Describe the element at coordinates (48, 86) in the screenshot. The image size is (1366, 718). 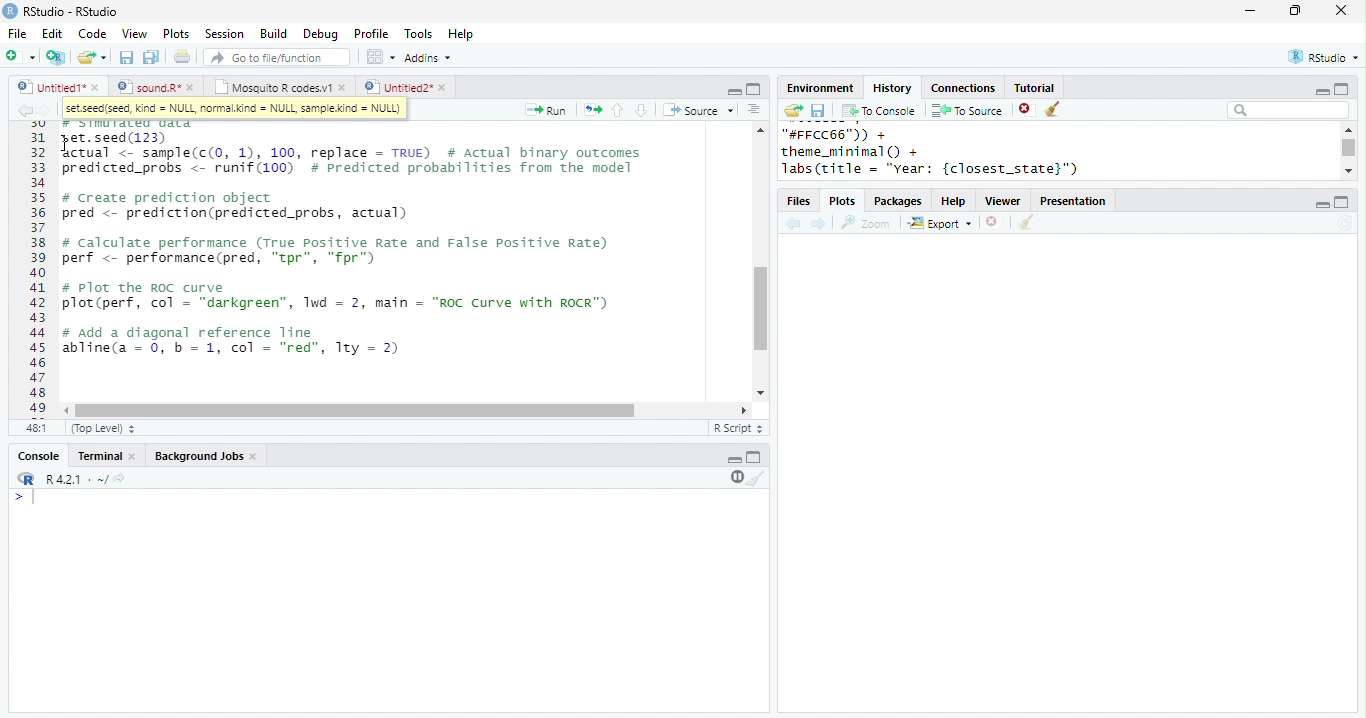
I see `Untitled 1` at that location.